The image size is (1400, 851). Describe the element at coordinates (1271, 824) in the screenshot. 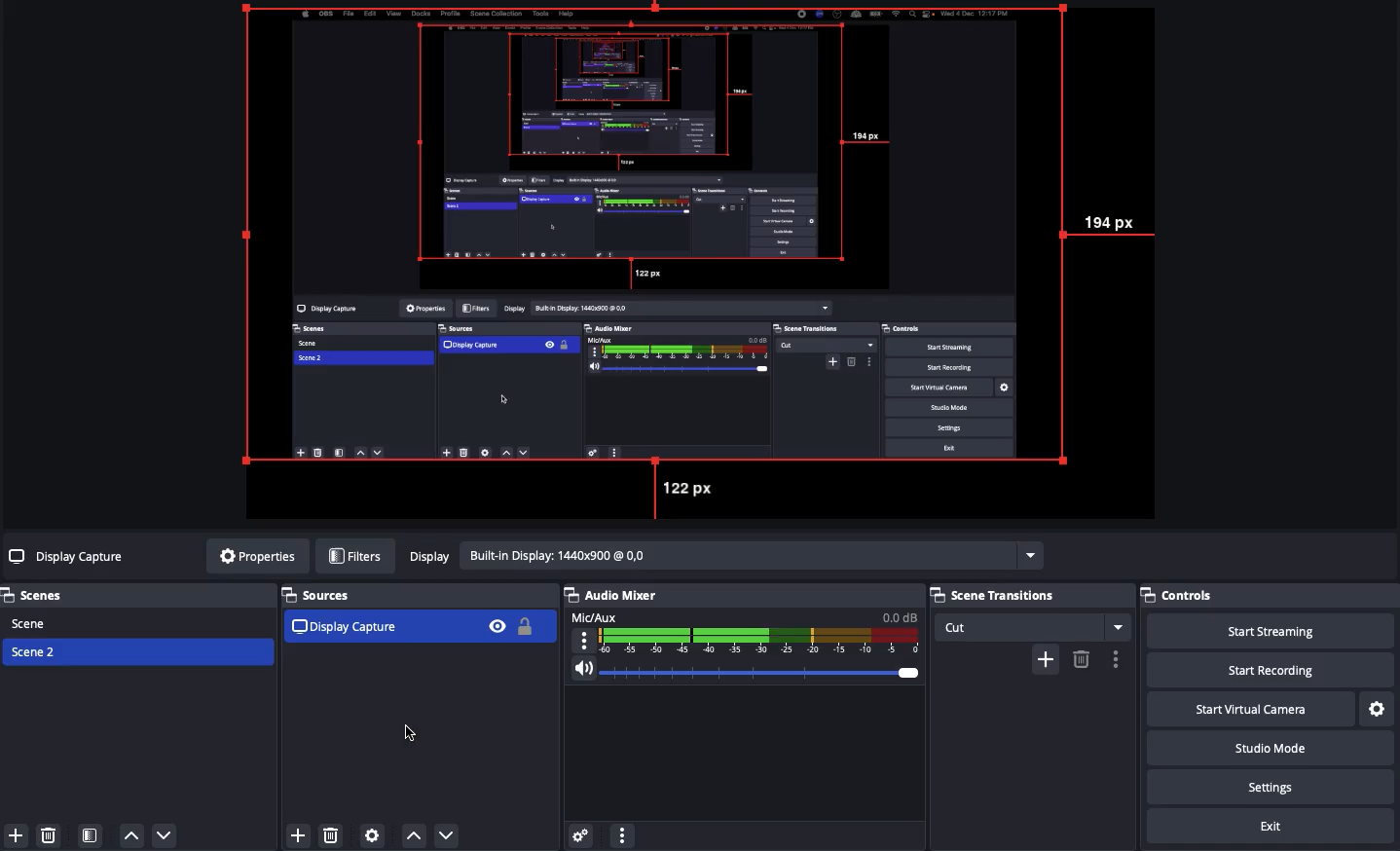

I see `Exit` at that location.